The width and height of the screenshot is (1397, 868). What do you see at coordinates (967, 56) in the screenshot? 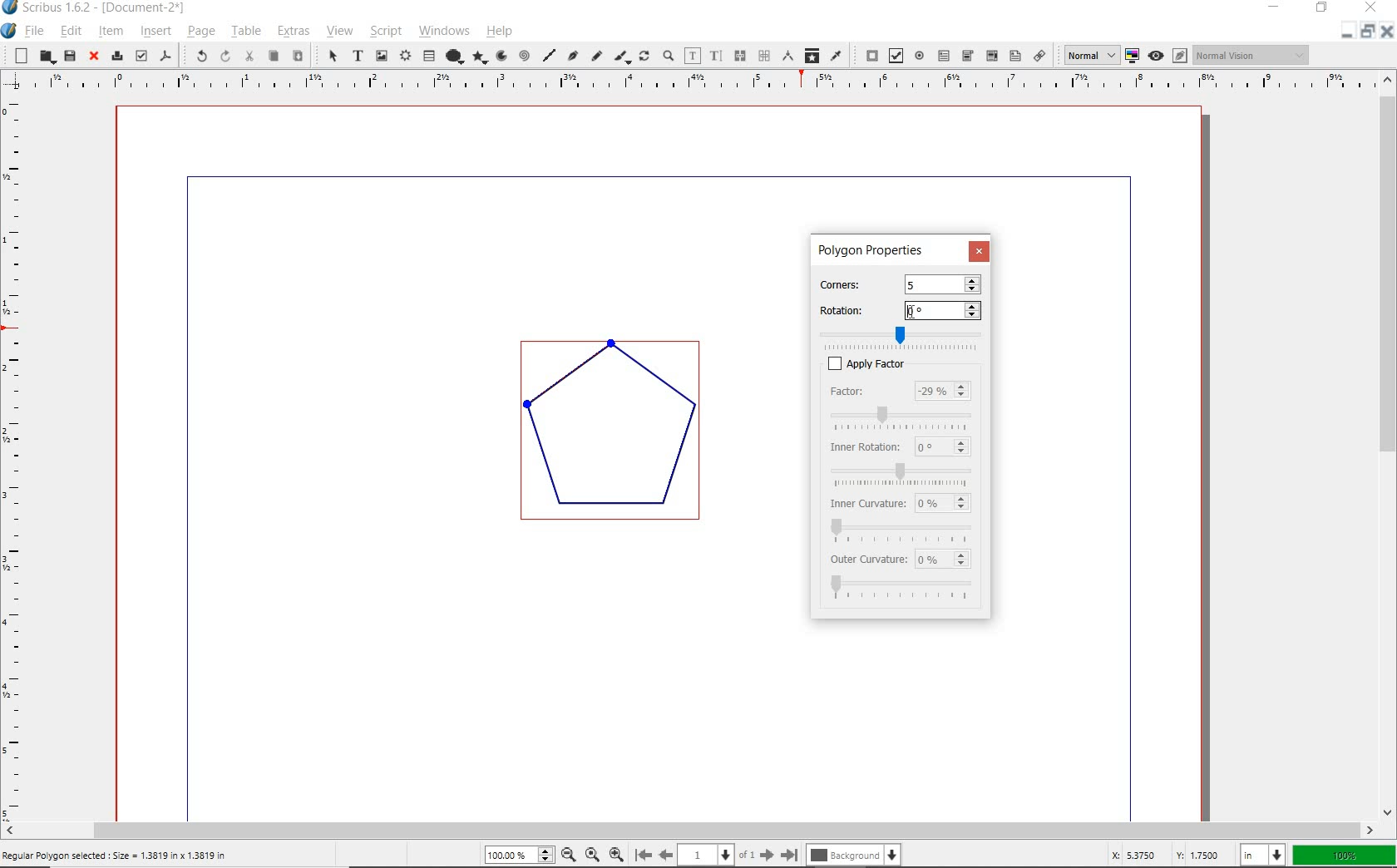
I see `pdf combo box` at bounding box center [967, 56].